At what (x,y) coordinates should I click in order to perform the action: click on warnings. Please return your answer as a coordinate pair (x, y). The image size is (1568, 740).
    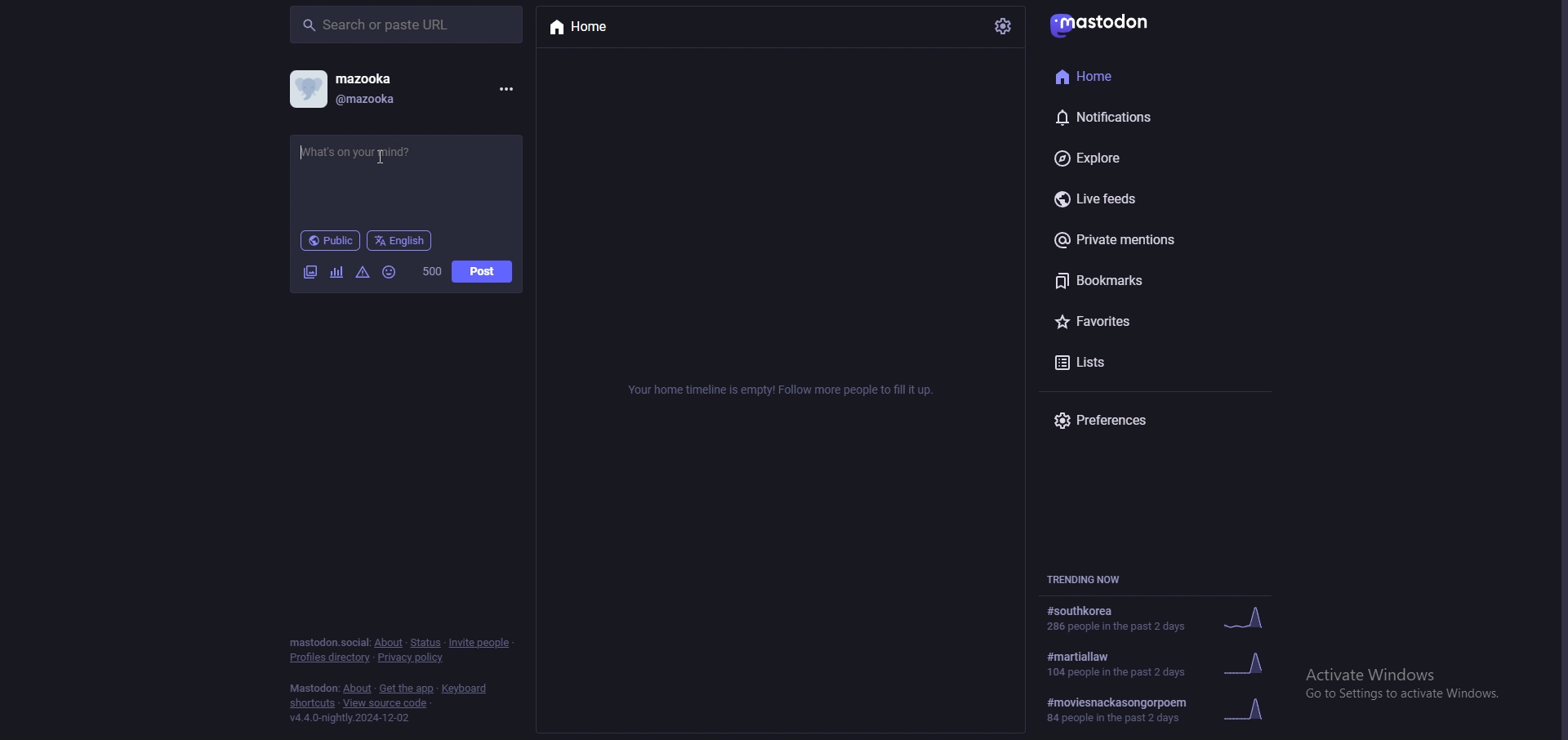
    Looking at the image, I should click on (363, 273).